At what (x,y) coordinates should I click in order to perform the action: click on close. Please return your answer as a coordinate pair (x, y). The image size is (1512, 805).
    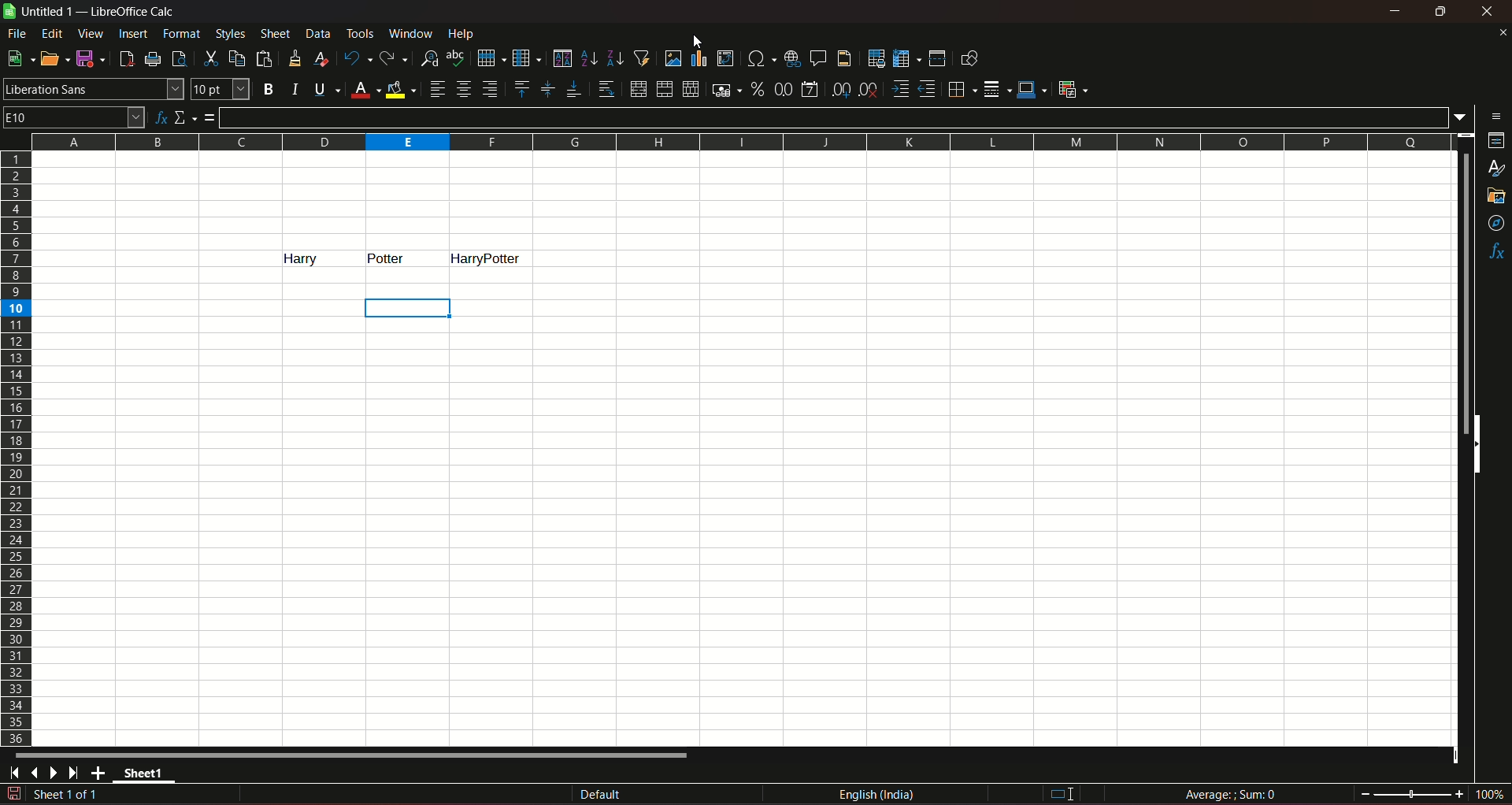
    Looking at the image, I should click on (1502, 32).